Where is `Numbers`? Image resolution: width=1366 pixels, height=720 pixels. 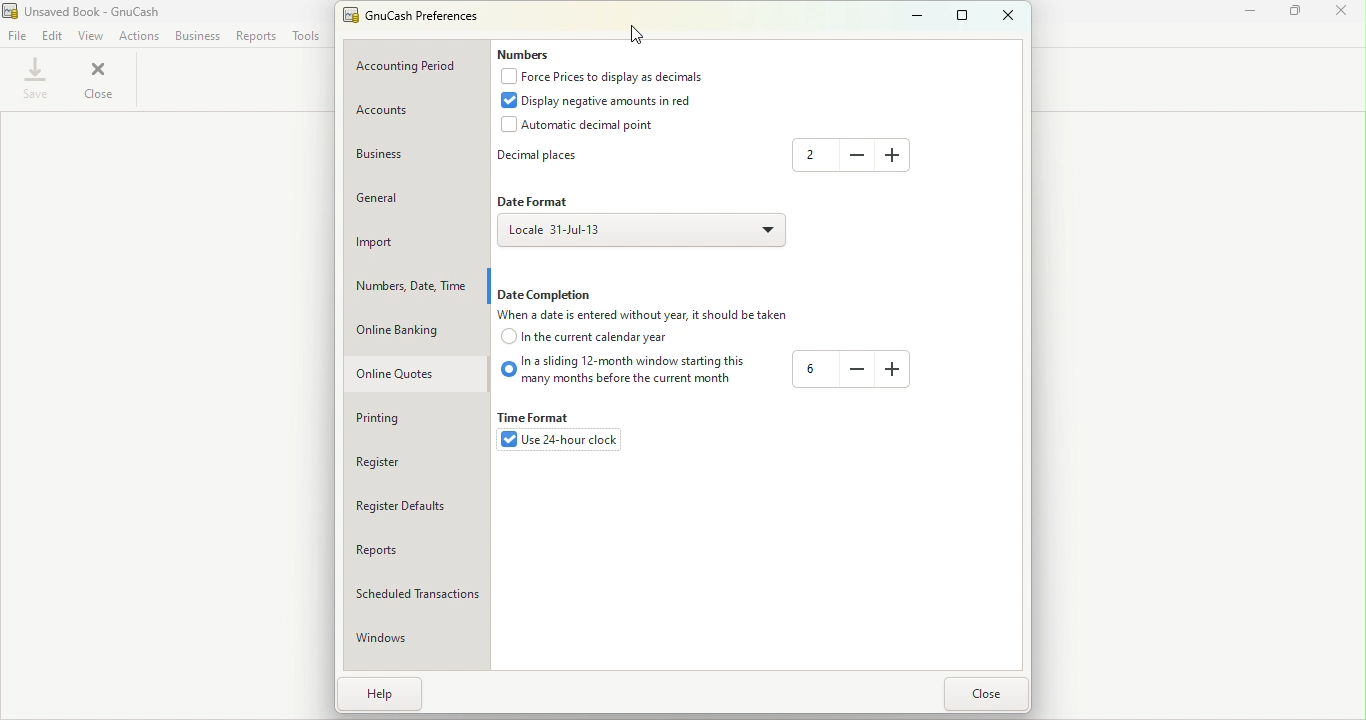 Numbers is located at coordinates (528, 51).